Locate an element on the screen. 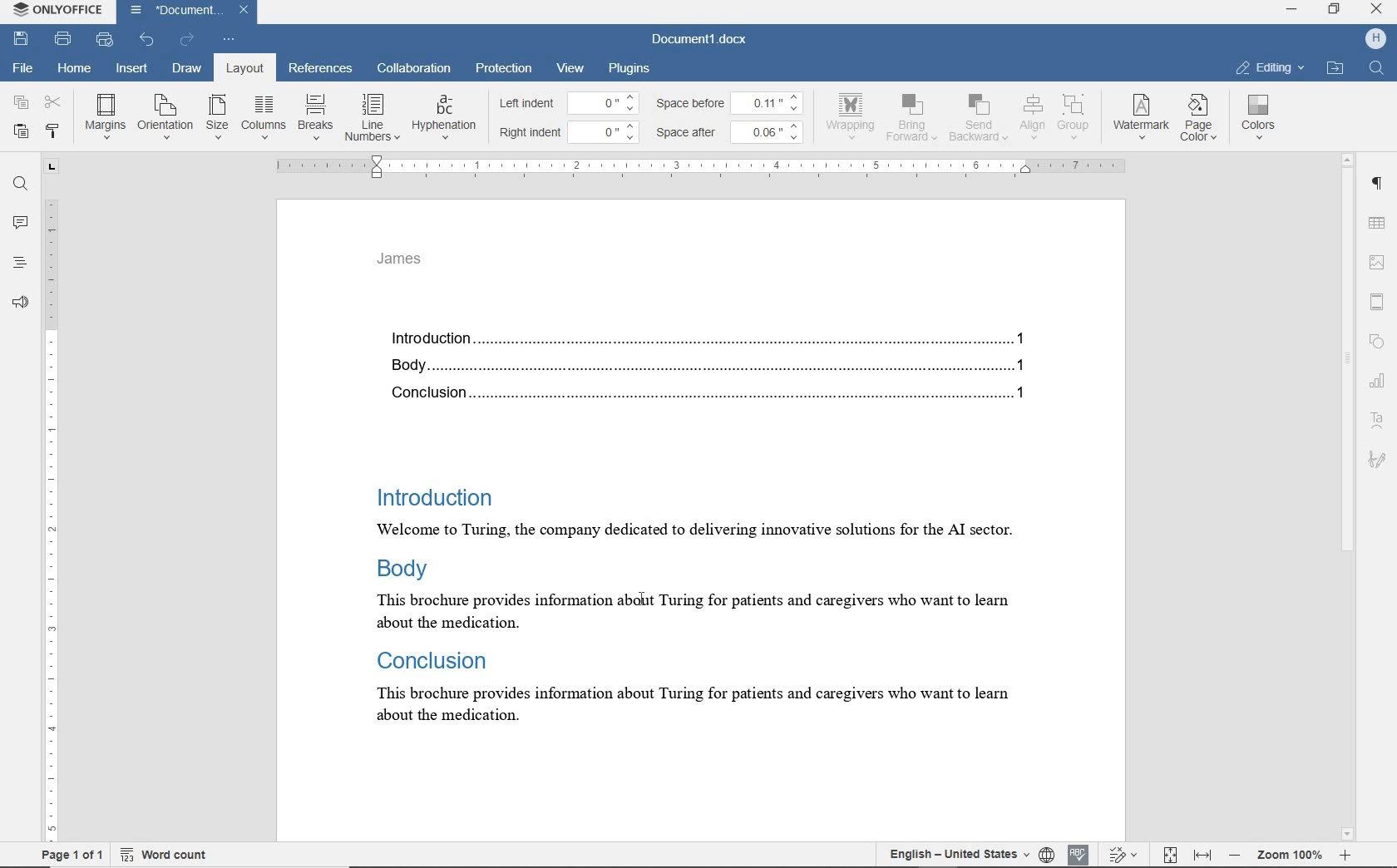 This screenshot has width=1397, height=868. 0 is located at coordinates (605, 102).